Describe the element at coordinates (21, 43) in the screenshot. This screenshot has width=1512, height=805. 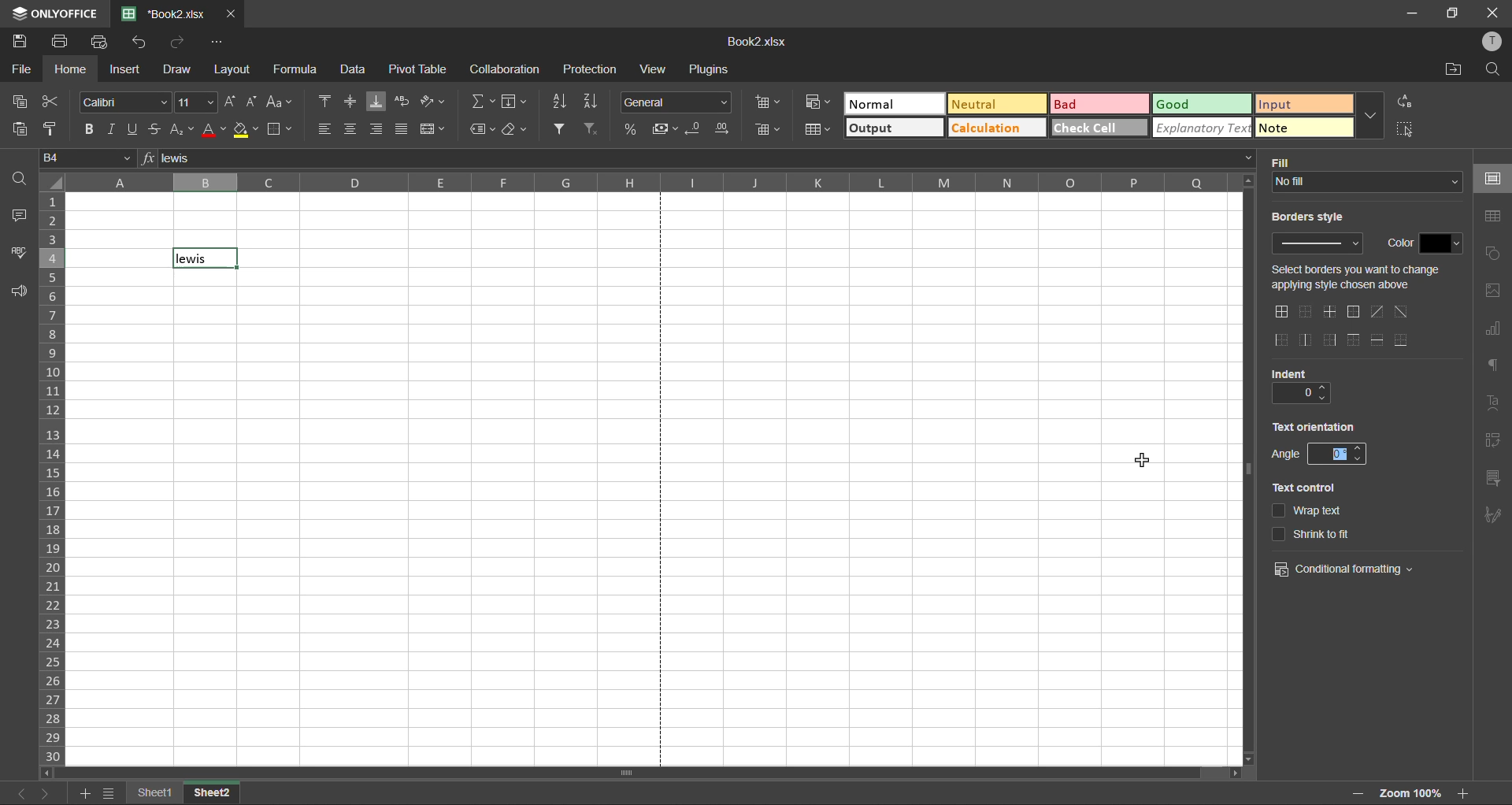
I see `save` at that location.